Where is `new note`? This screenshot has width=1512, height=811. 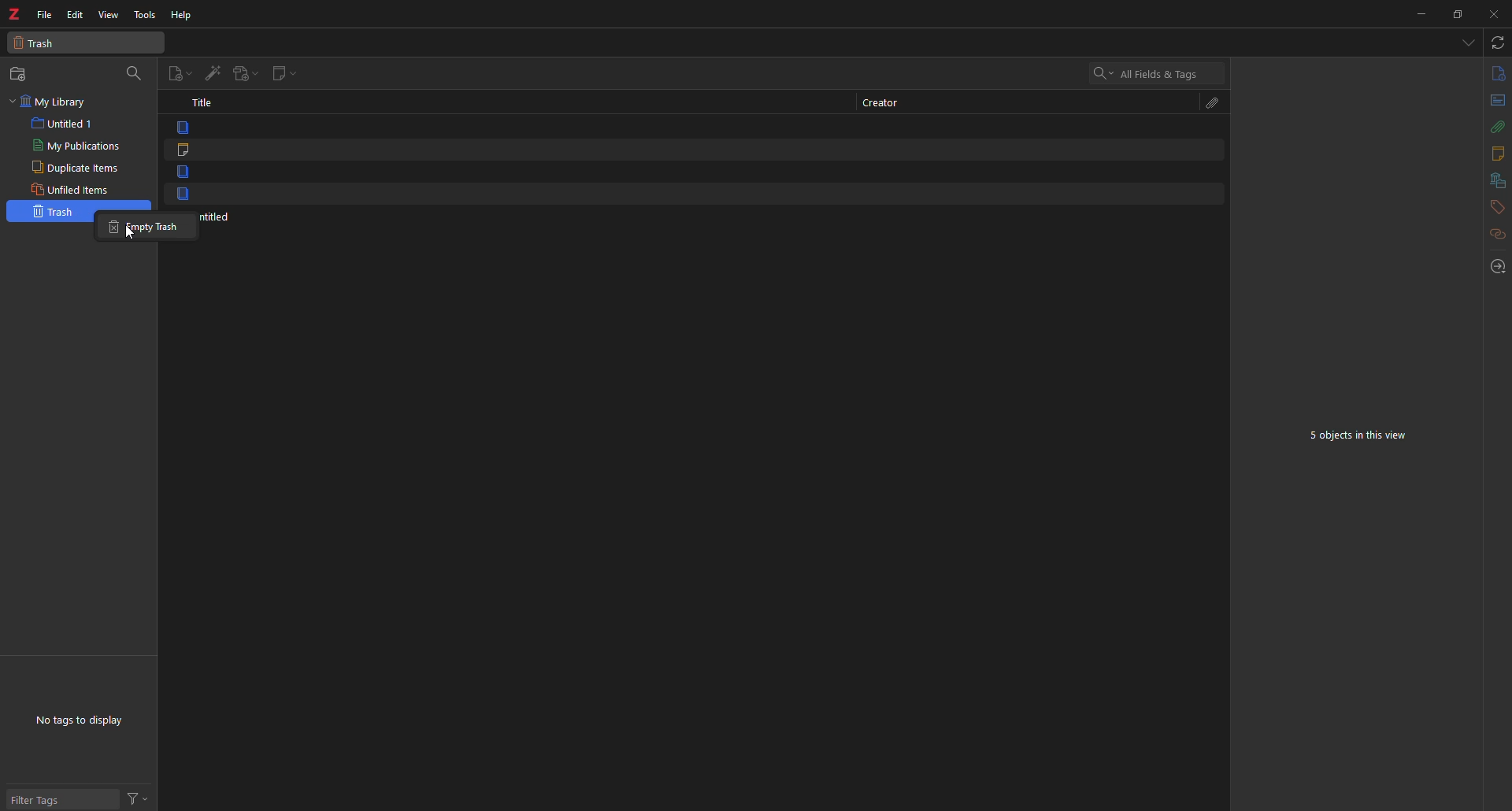
new note is located at coordinates (281, 73).